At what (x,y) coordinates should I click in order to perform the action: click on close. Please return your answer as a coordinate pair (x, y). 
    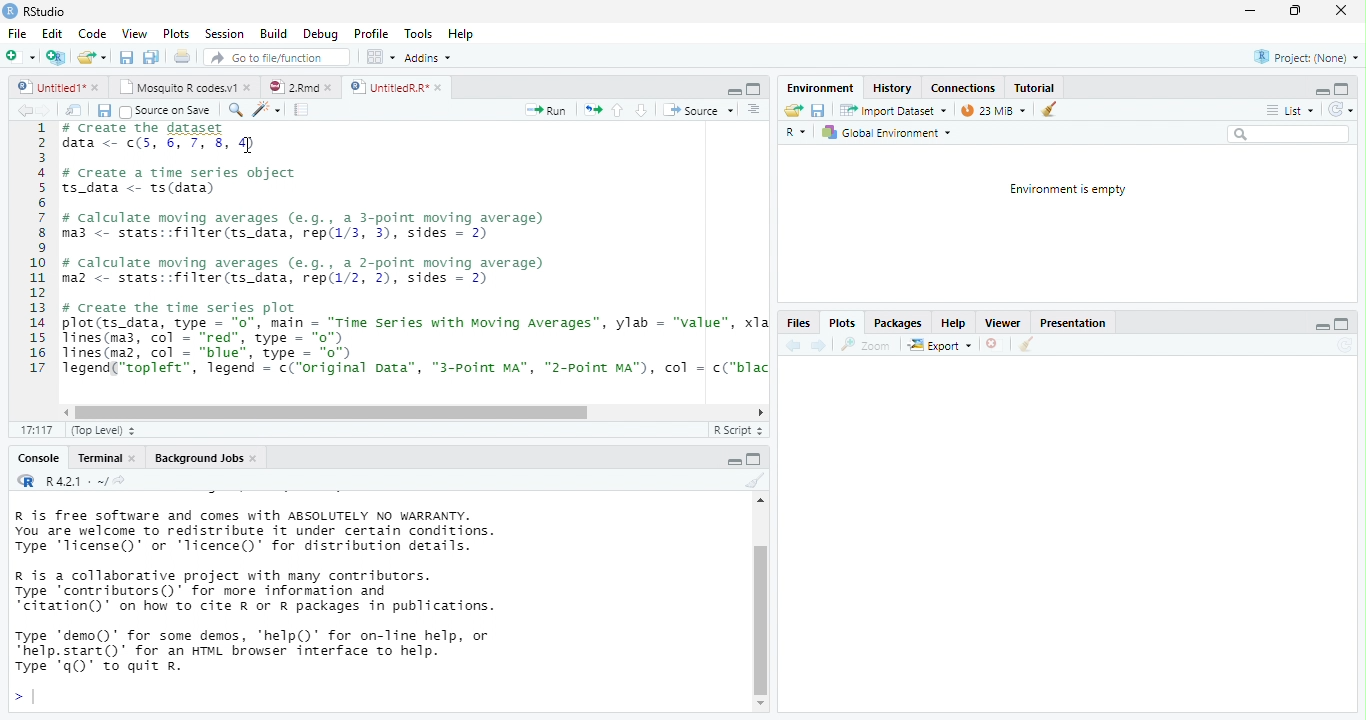
    Looking at the image, I should click on (441, 88).